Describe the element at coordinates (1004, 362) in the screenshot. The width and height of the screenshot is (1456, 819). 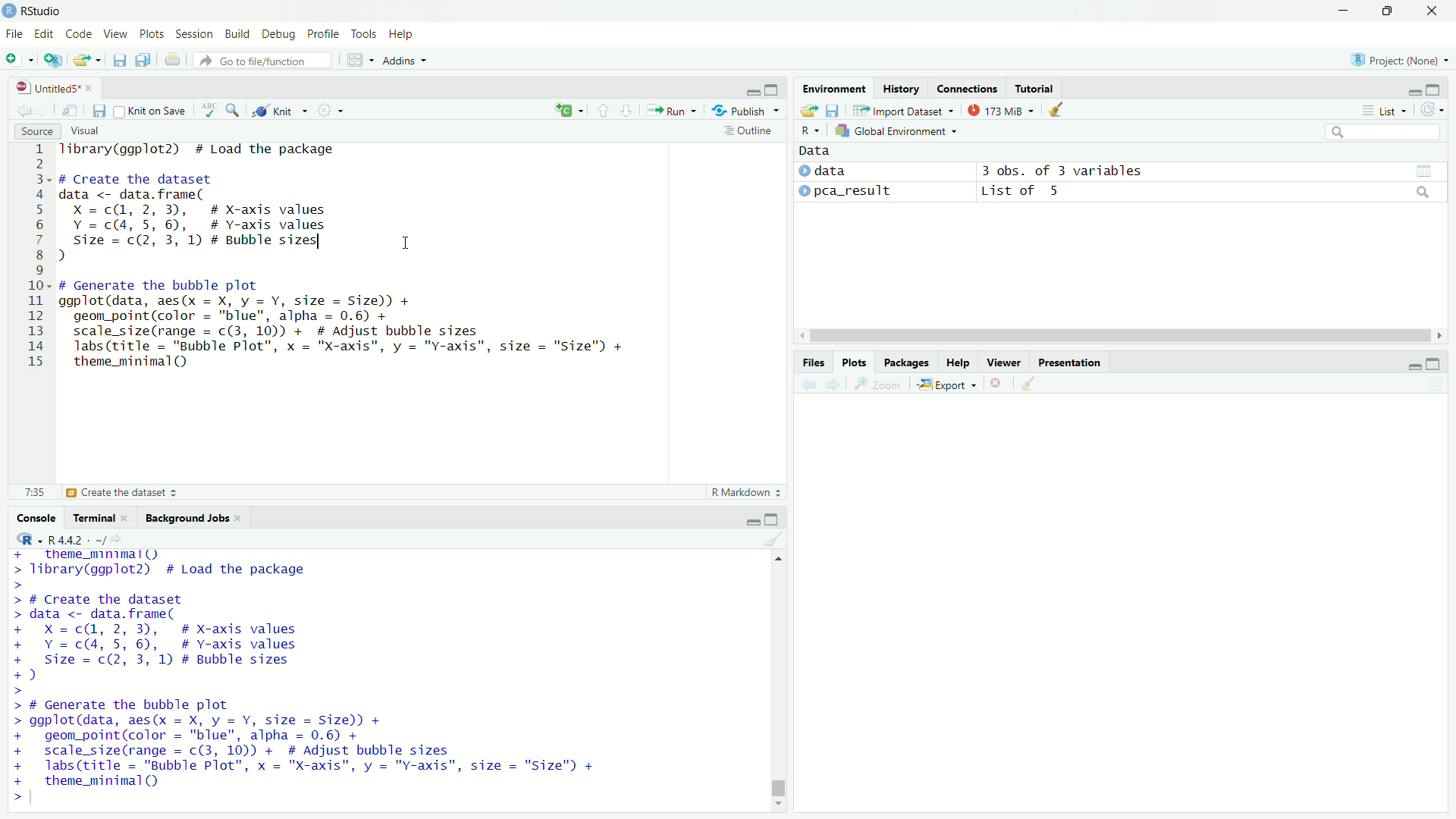
I see `viewer` at that location.